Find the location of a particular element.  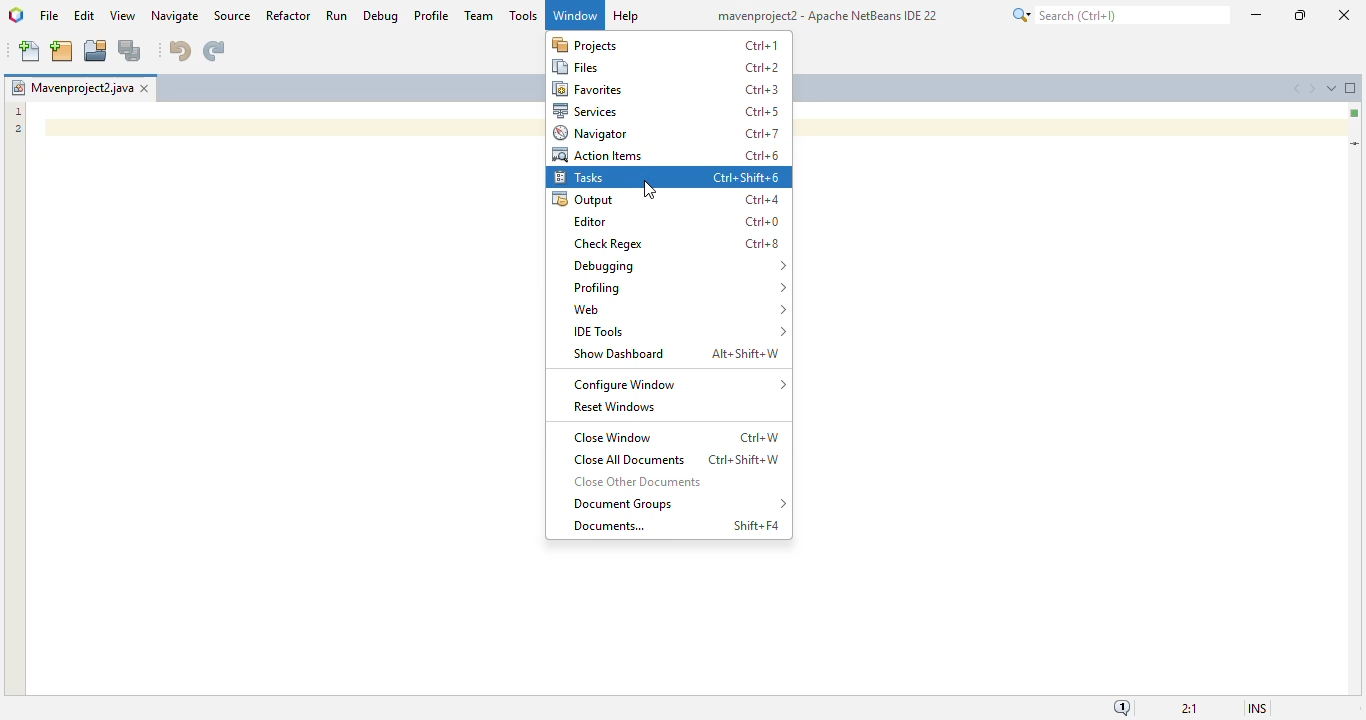

close all documents is located at coordinates (630, 459).